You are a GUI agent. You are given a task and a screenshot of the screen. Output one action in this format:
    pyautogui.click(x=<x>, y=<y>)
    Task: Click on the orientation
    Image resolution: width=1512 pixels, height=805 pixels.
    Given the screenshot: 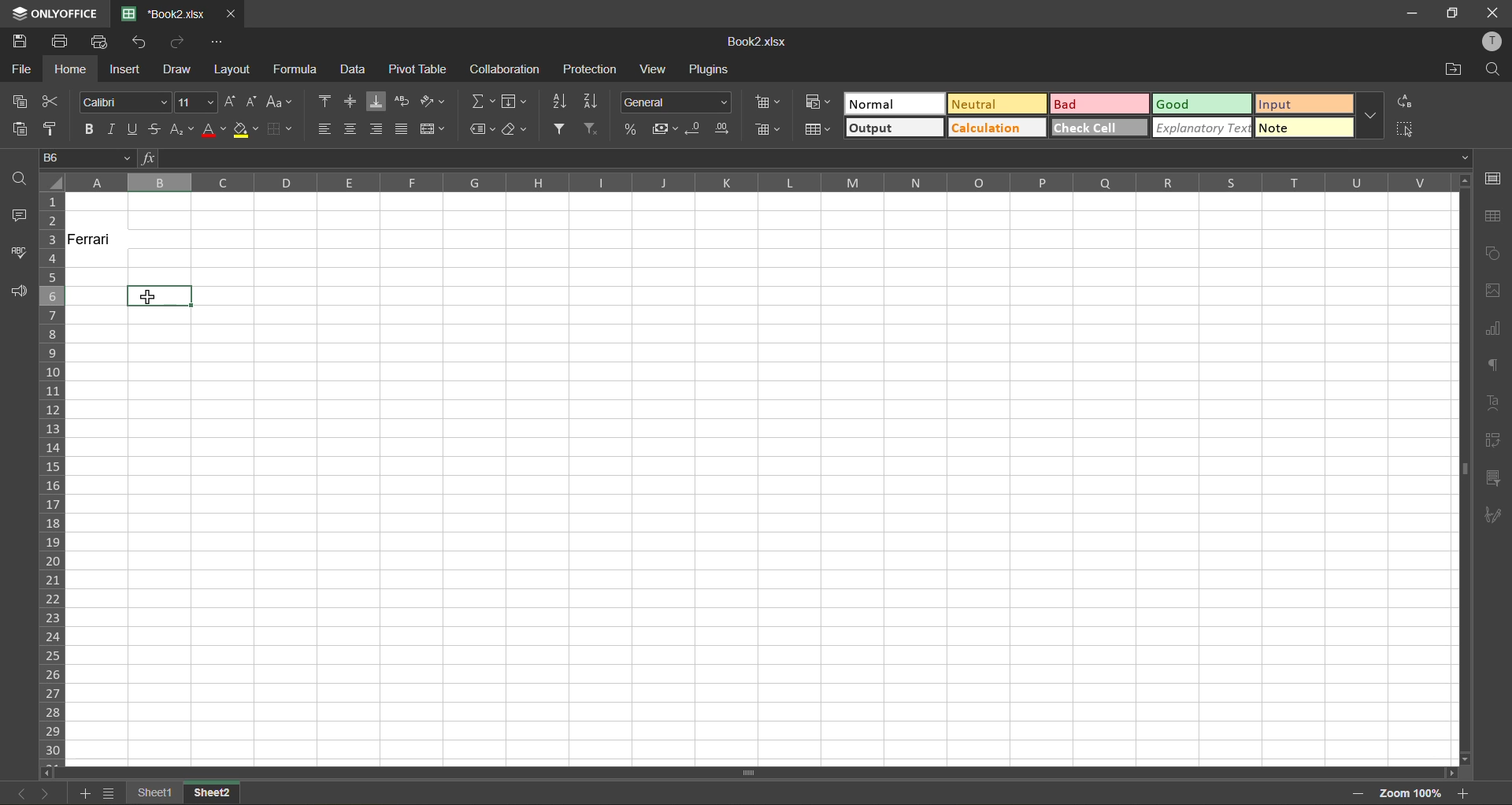 What is the action you would take?
    pyautogui.click(x=432, y=101)
    